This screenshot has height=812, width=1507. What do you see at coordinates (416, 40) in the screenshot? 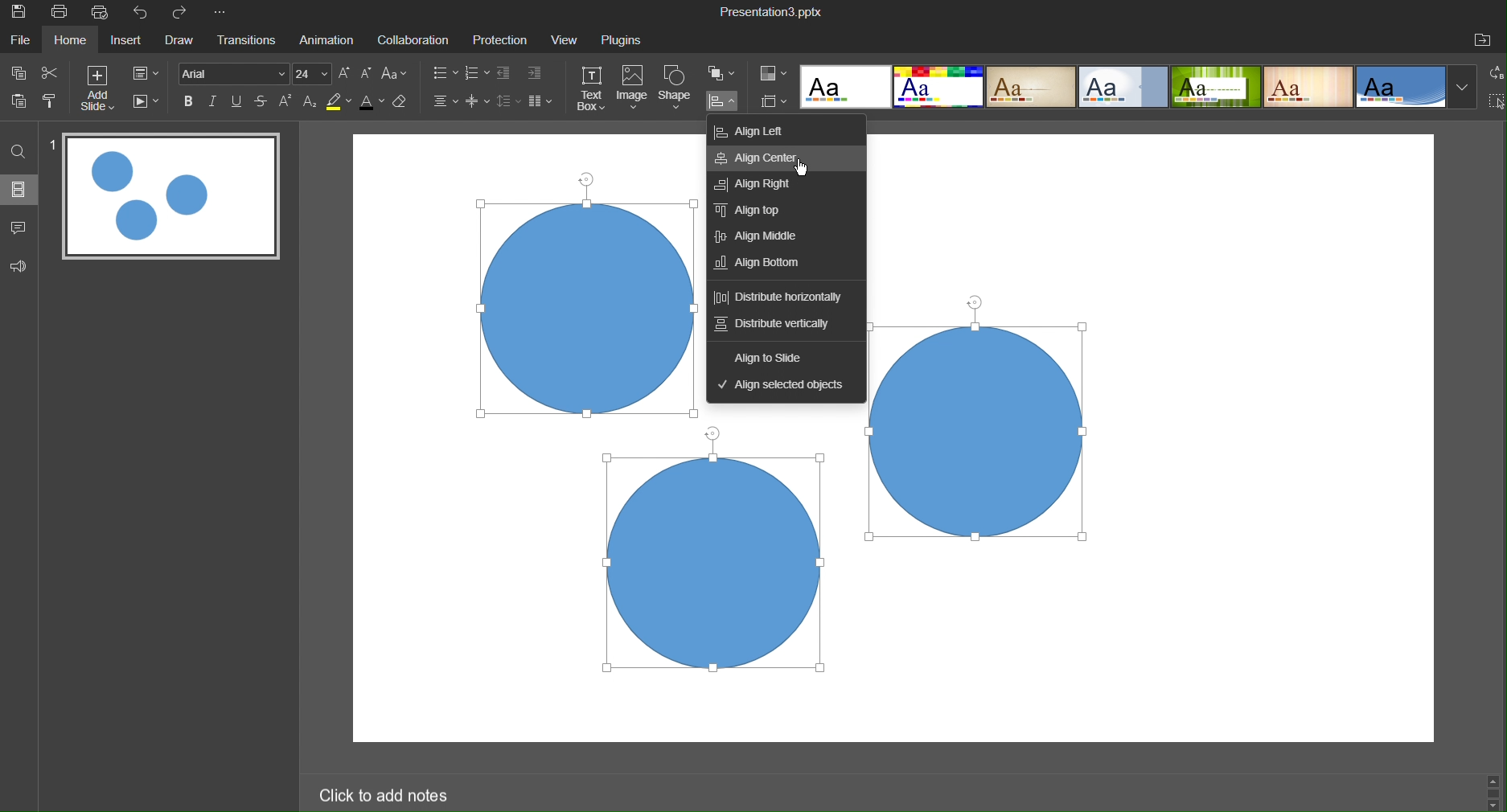
I see `Collaboration` at bounding box center [416, 40].